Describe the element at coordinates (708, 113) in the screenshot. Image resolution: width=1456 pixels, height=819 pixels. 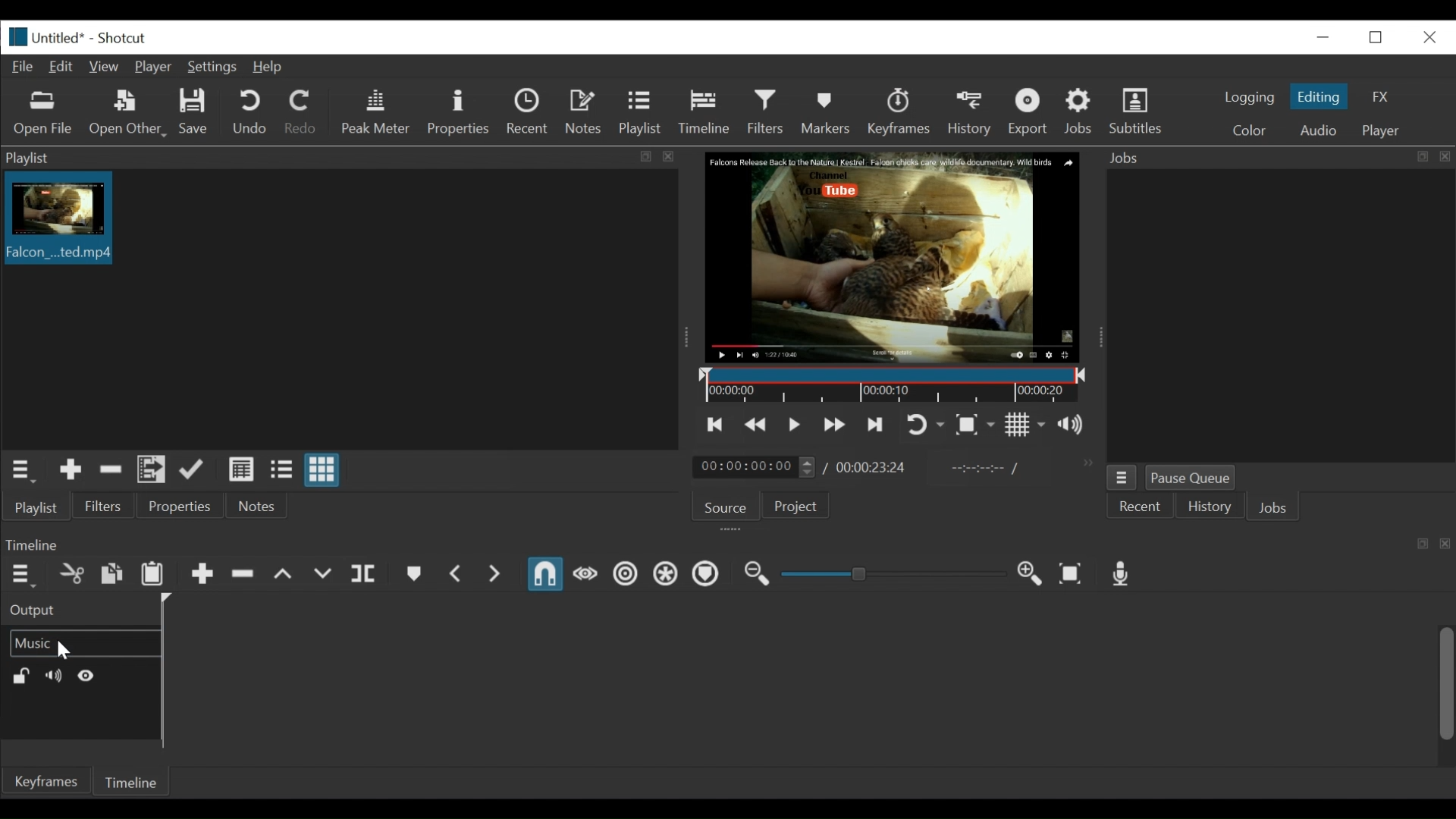
I see `Timeline` at that location.